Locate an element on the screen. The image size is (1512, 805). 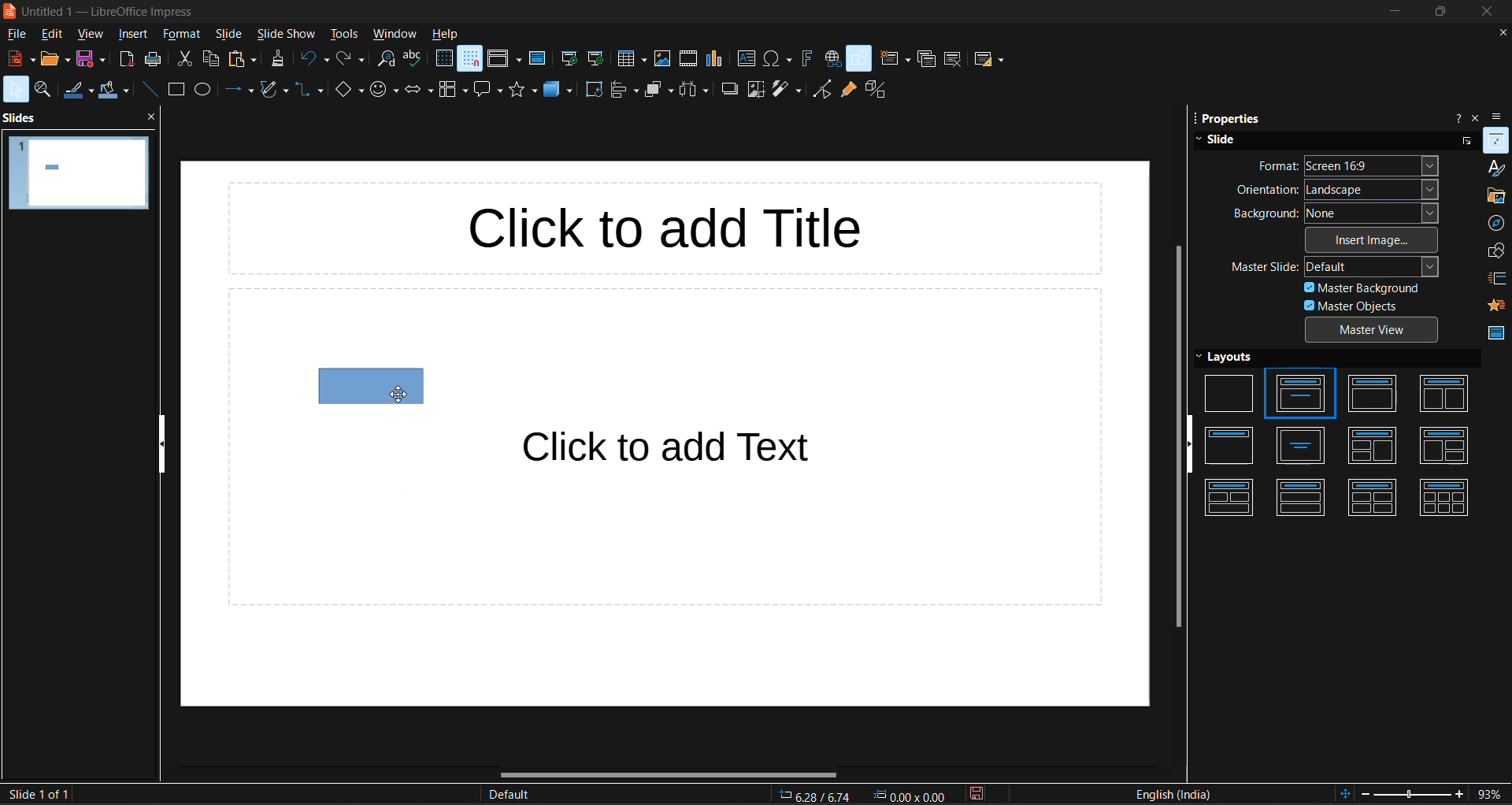
title, 6 content is located at coordinates (1445, 495).